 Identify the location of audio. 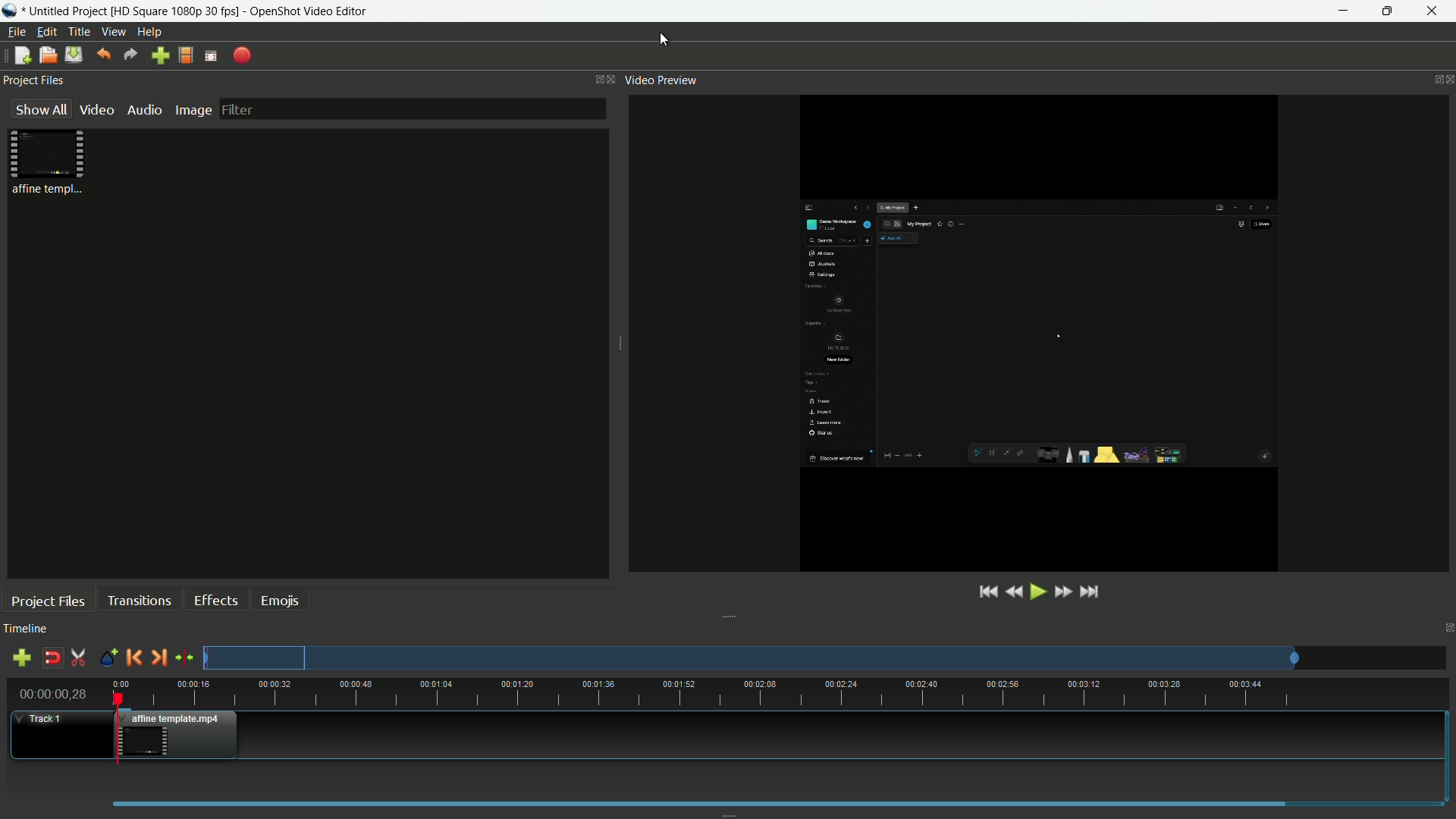
(146, 109).